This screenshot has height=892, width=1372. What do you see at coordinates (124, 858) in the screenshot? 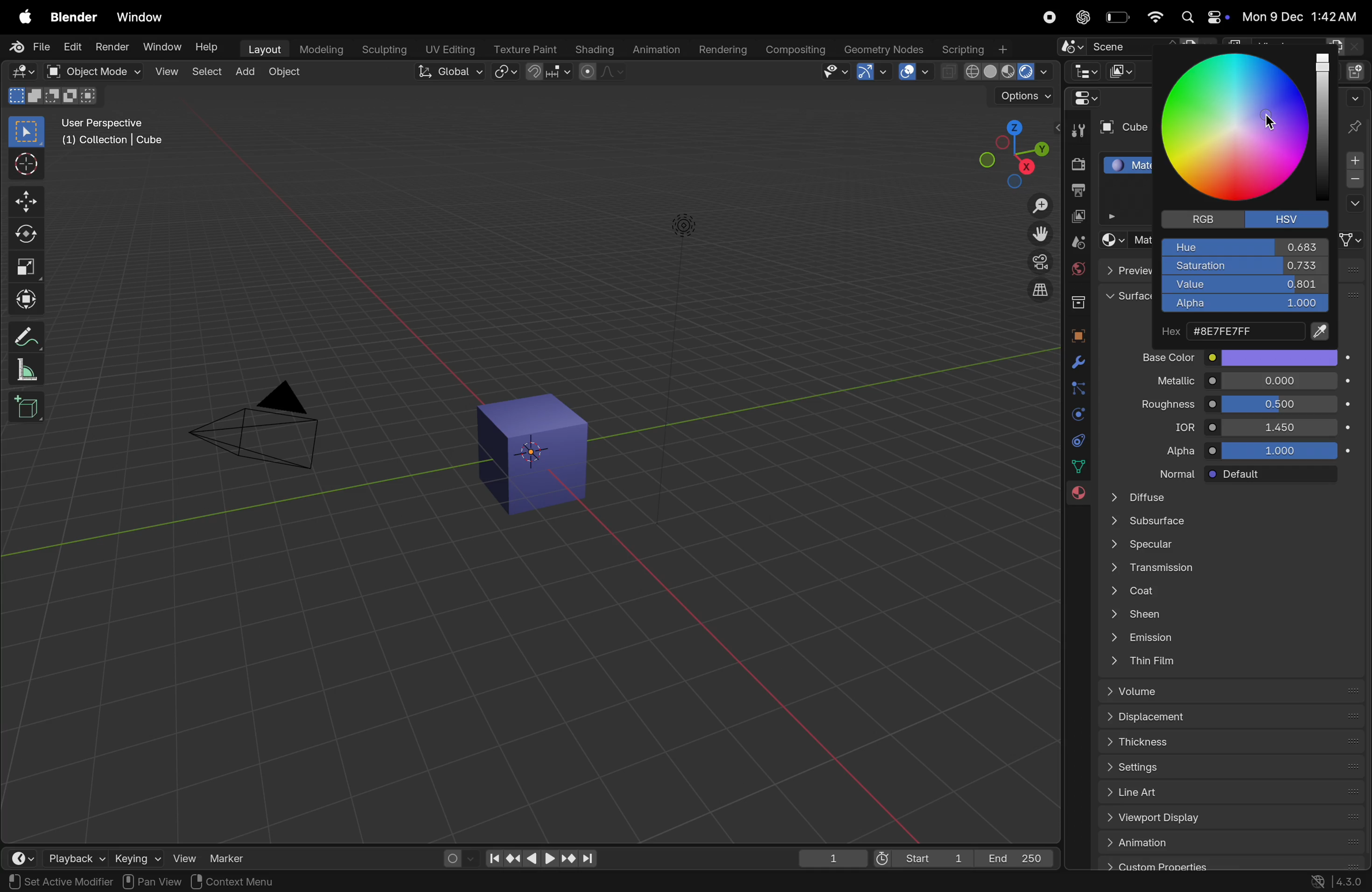
I see `keying` at bounding box center [124, 858].